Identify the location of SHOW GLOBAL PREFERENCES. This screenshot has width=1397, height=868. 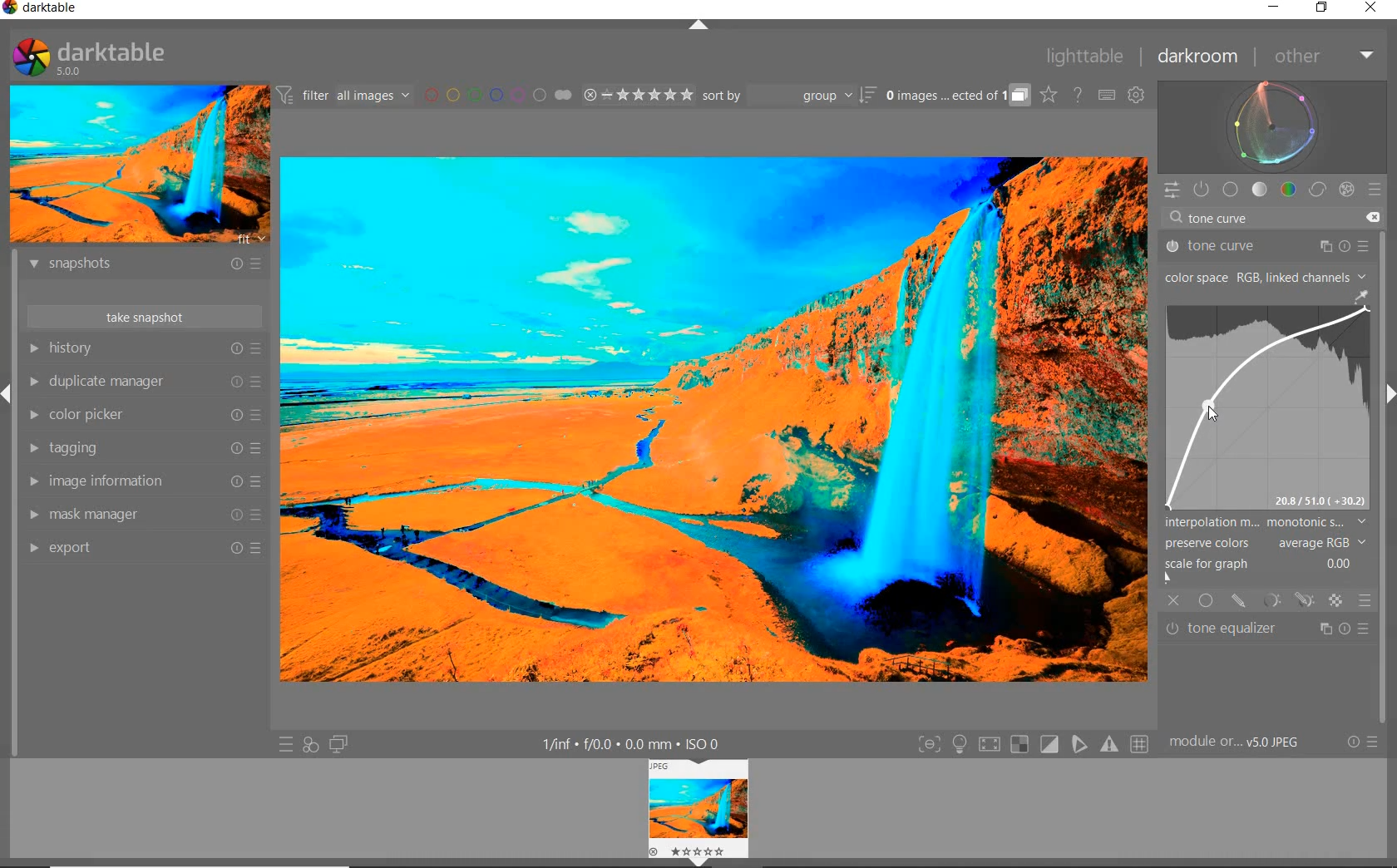
(1136, 95).